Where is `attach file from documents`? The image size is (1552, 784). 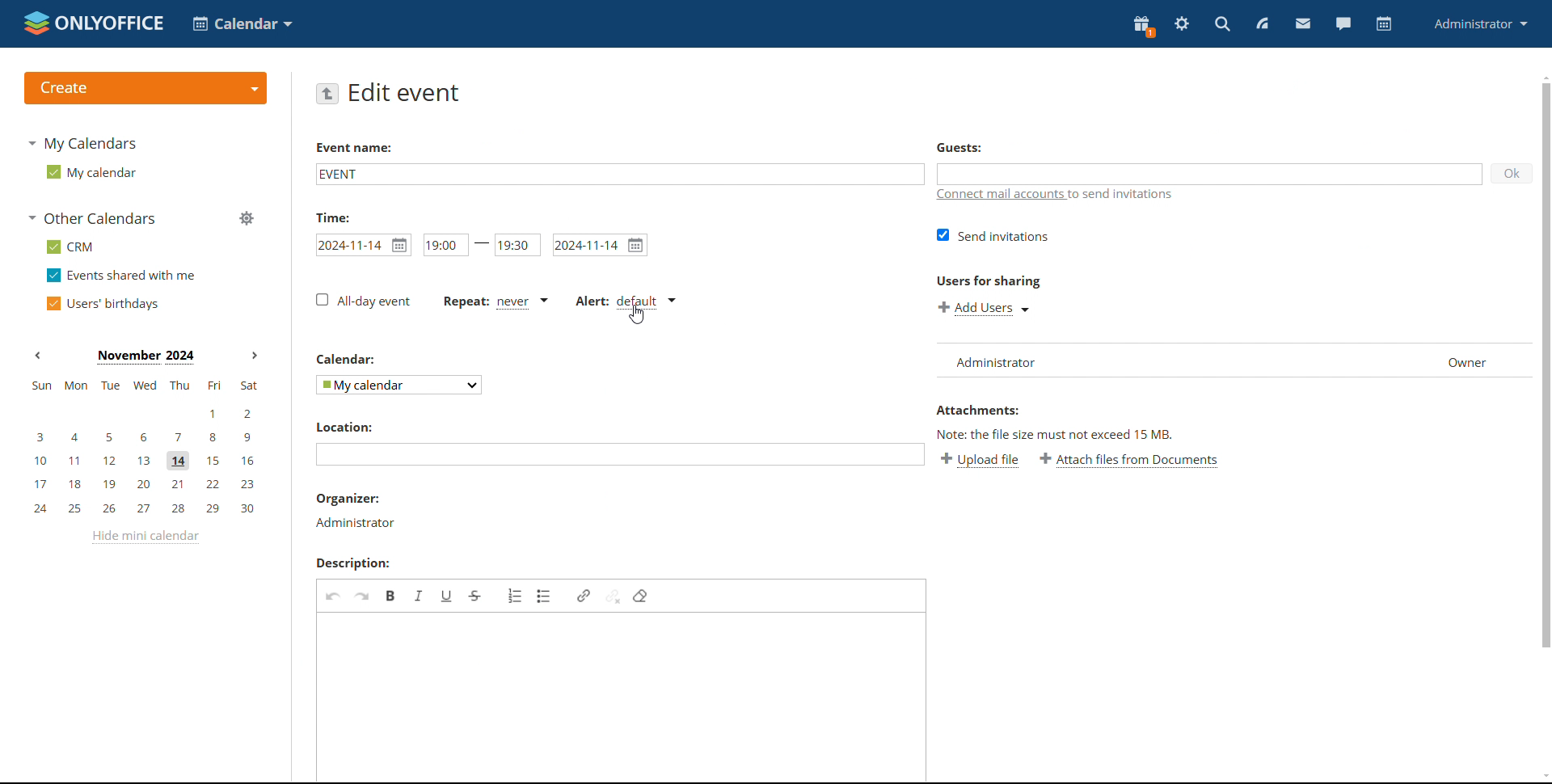
attach file from documents is located at coordinates (1129, 461).